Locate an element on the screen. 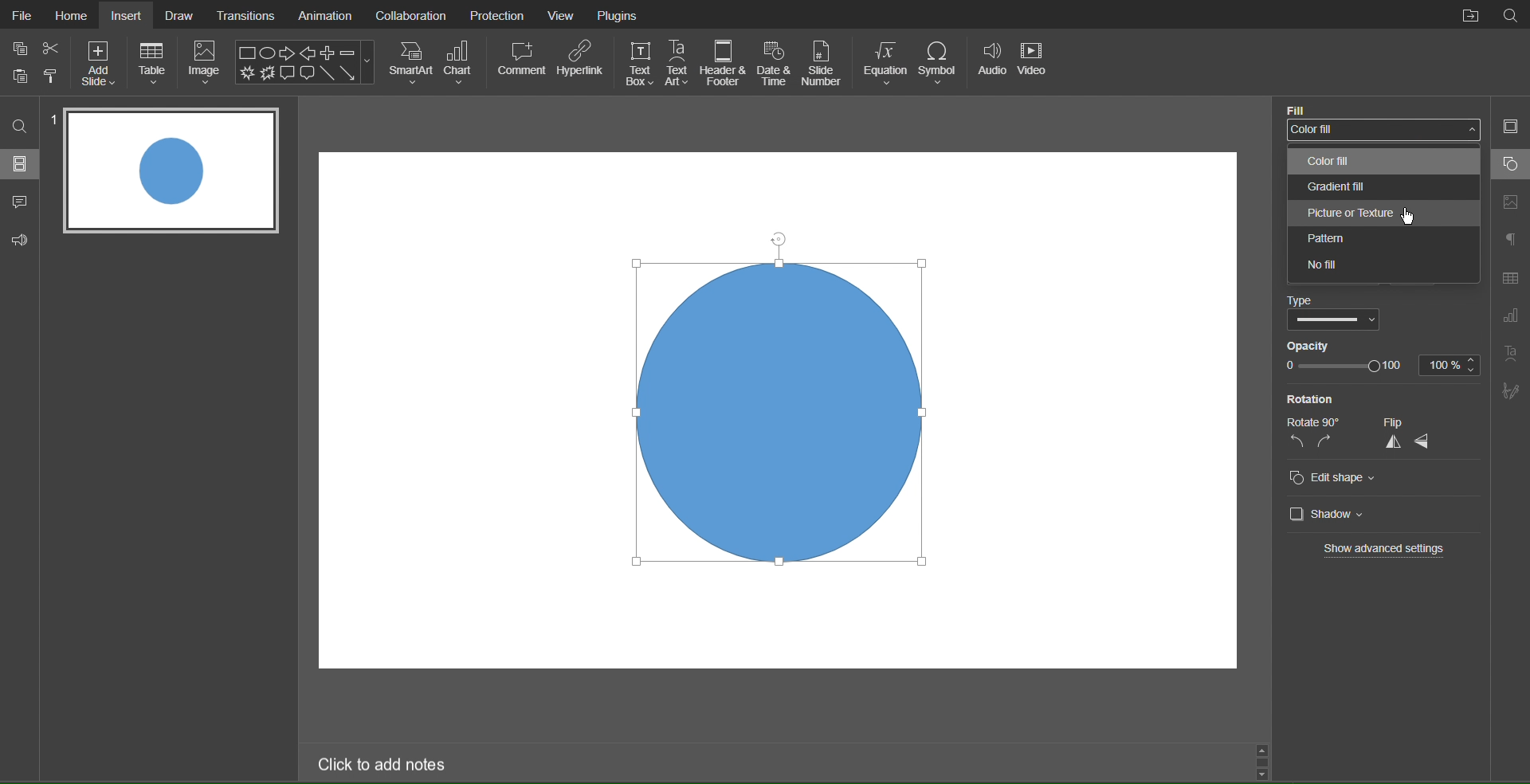  flip sideways is located at coordinates (1434, 445).